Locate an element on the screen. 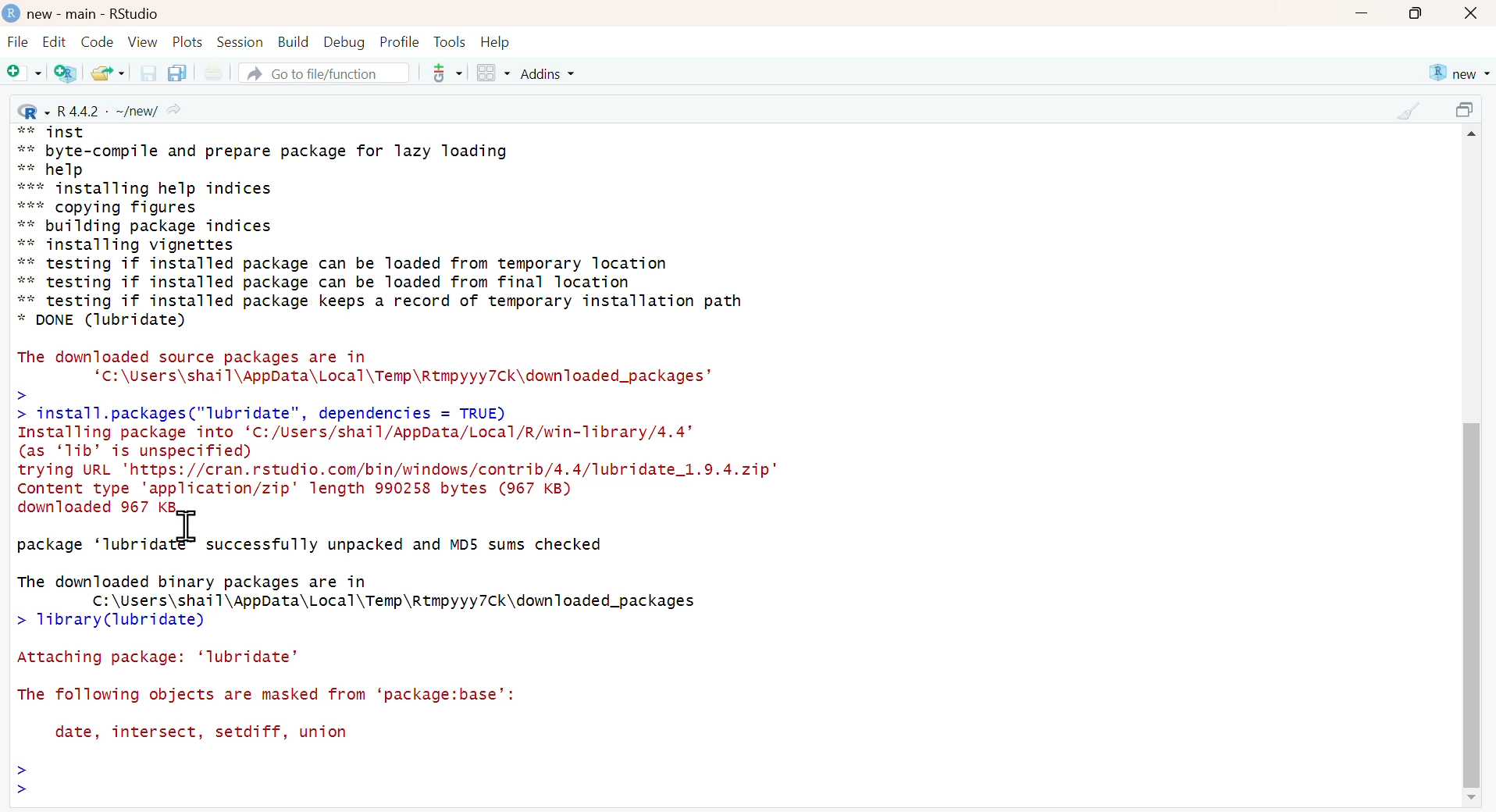  Code is located at coordinates (95, 41).